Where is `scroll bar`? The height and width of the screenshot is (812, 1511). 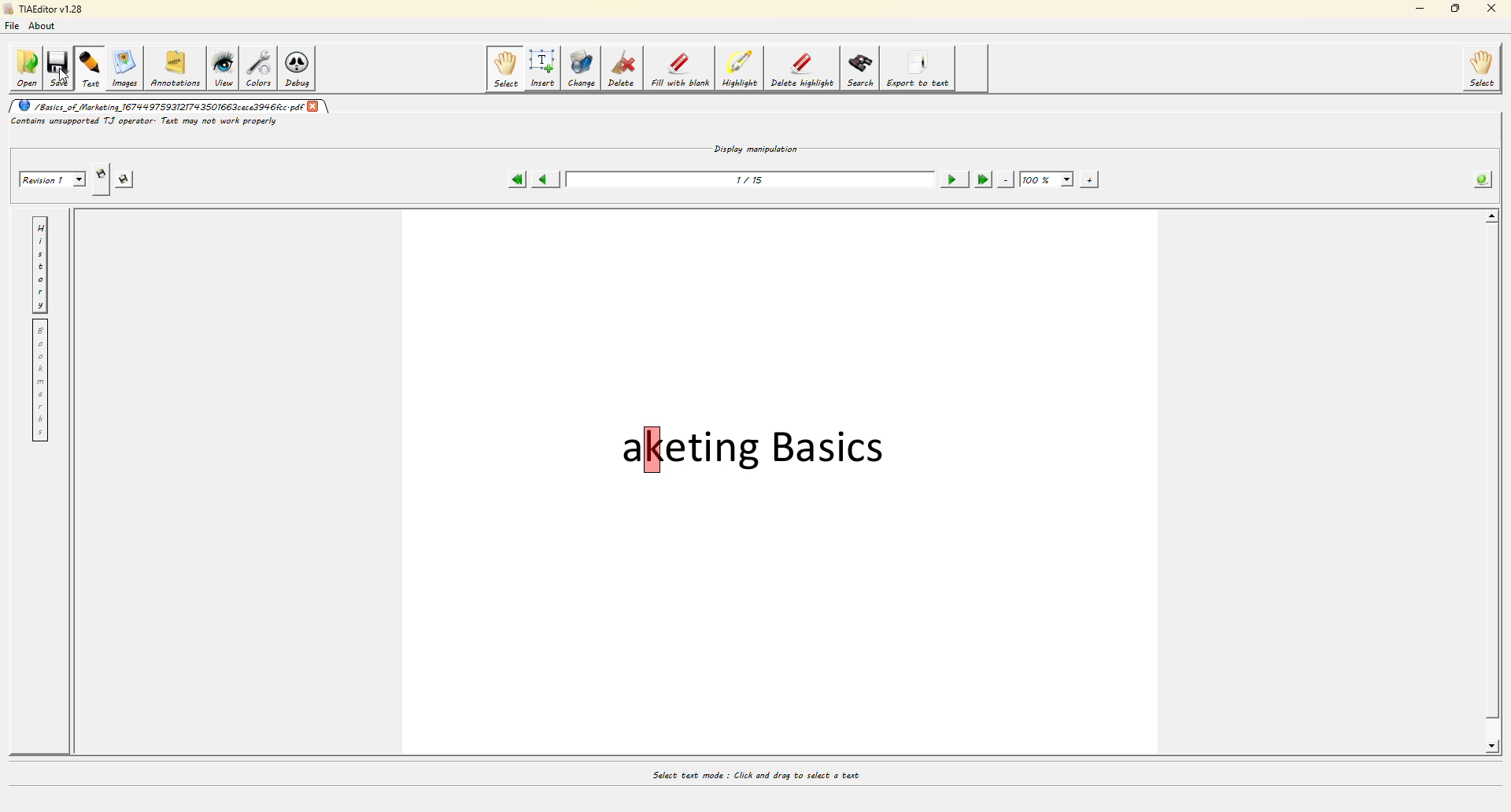
scroll bar is located at coordinates (1491, 482).